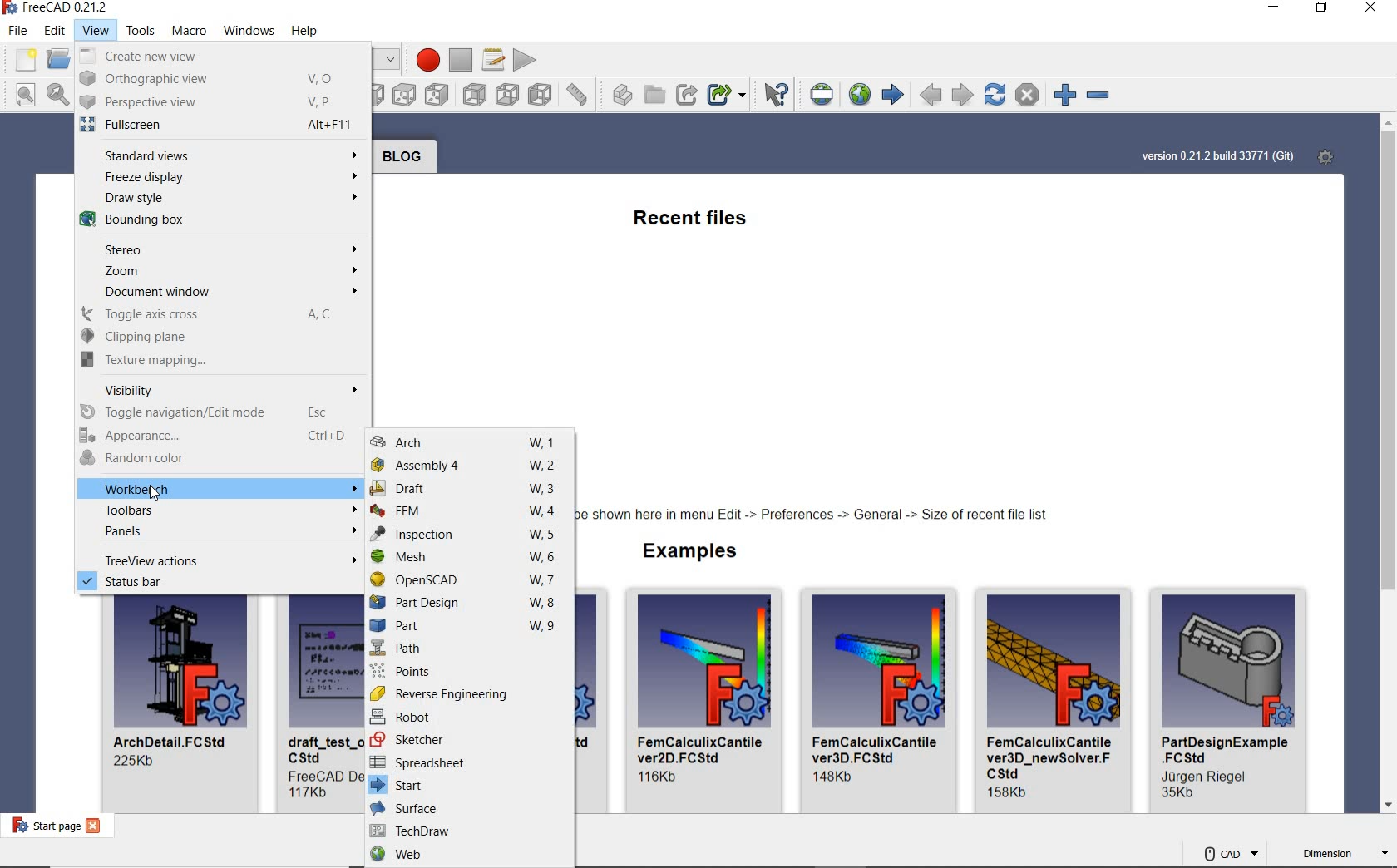  I want to click on start page, so click(893, 95).